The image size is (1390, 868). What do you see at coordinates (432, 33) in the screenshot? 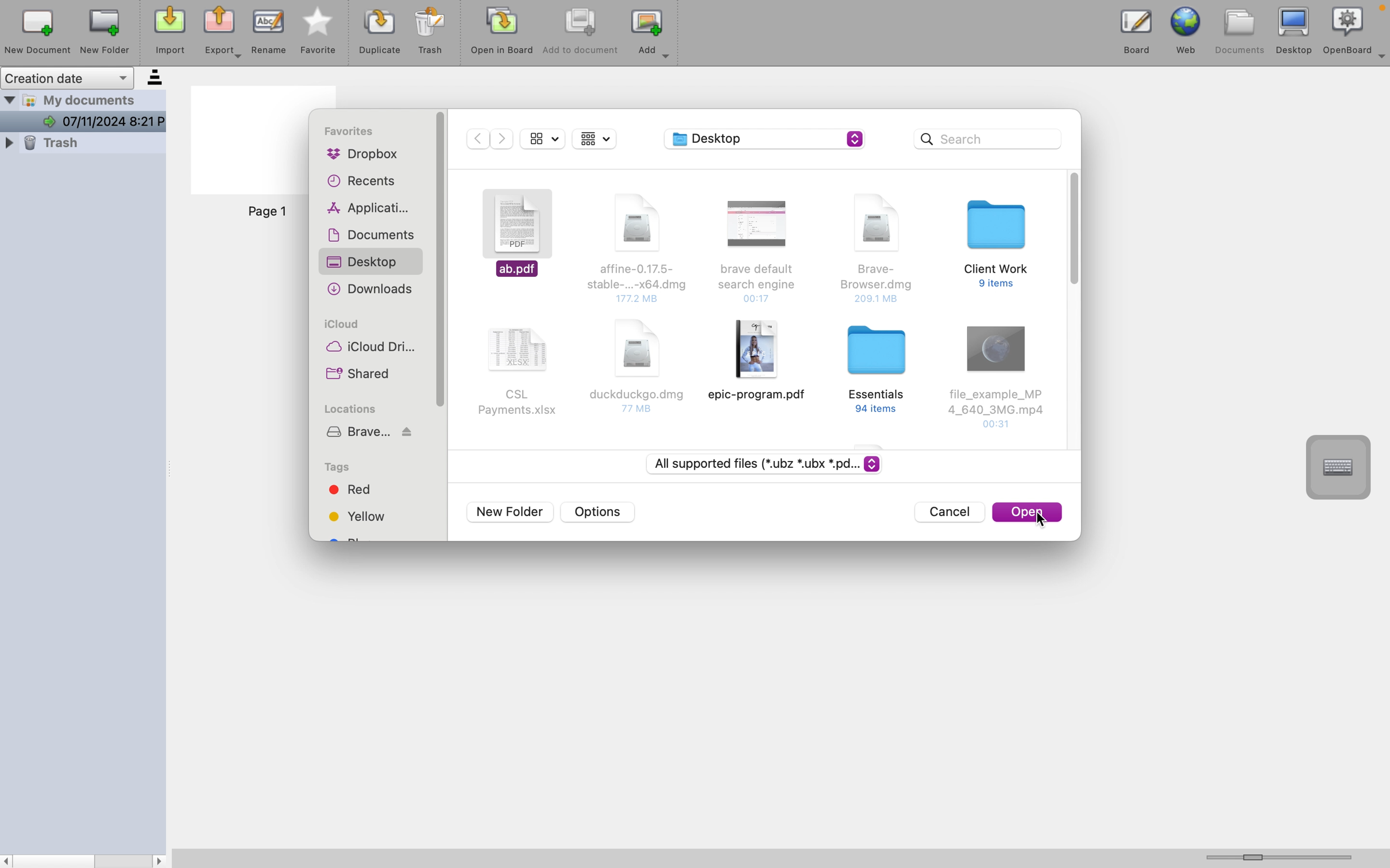
I see `trash` at bounding box center [432, 33].